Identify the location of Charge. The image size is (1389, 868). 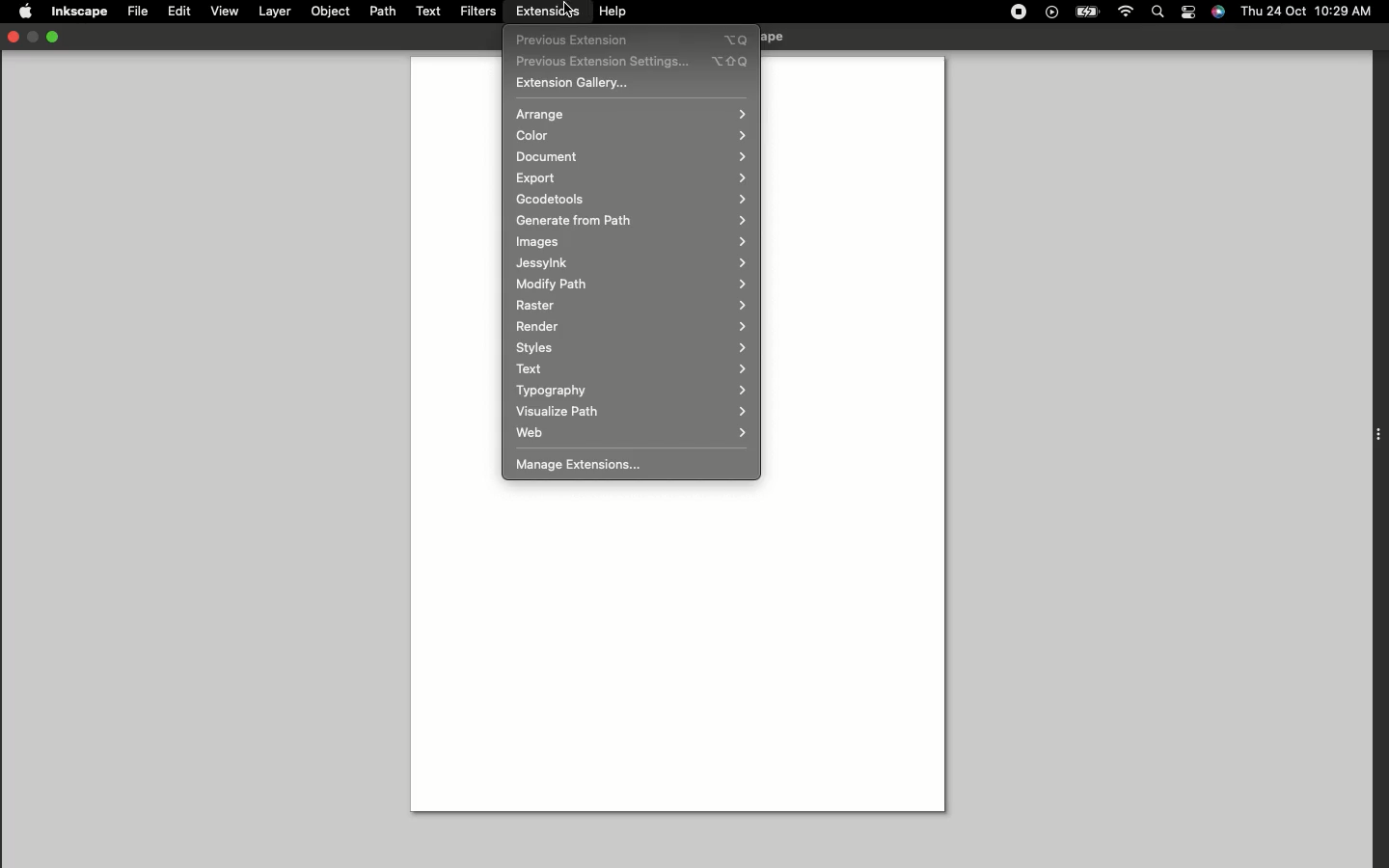
(1086, 13).